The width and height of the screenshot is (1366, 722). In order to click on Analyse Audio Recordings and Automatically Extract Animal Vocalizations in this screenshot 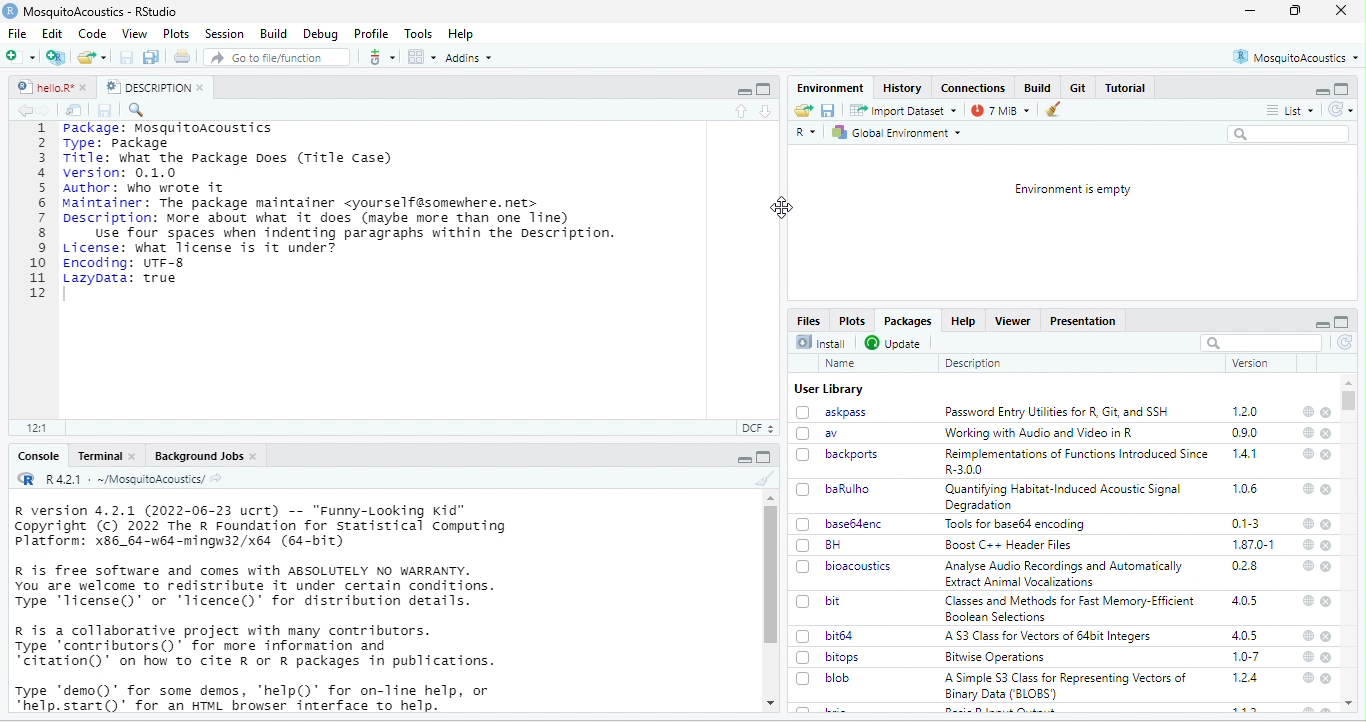, I will do `click(1064, 575)`.